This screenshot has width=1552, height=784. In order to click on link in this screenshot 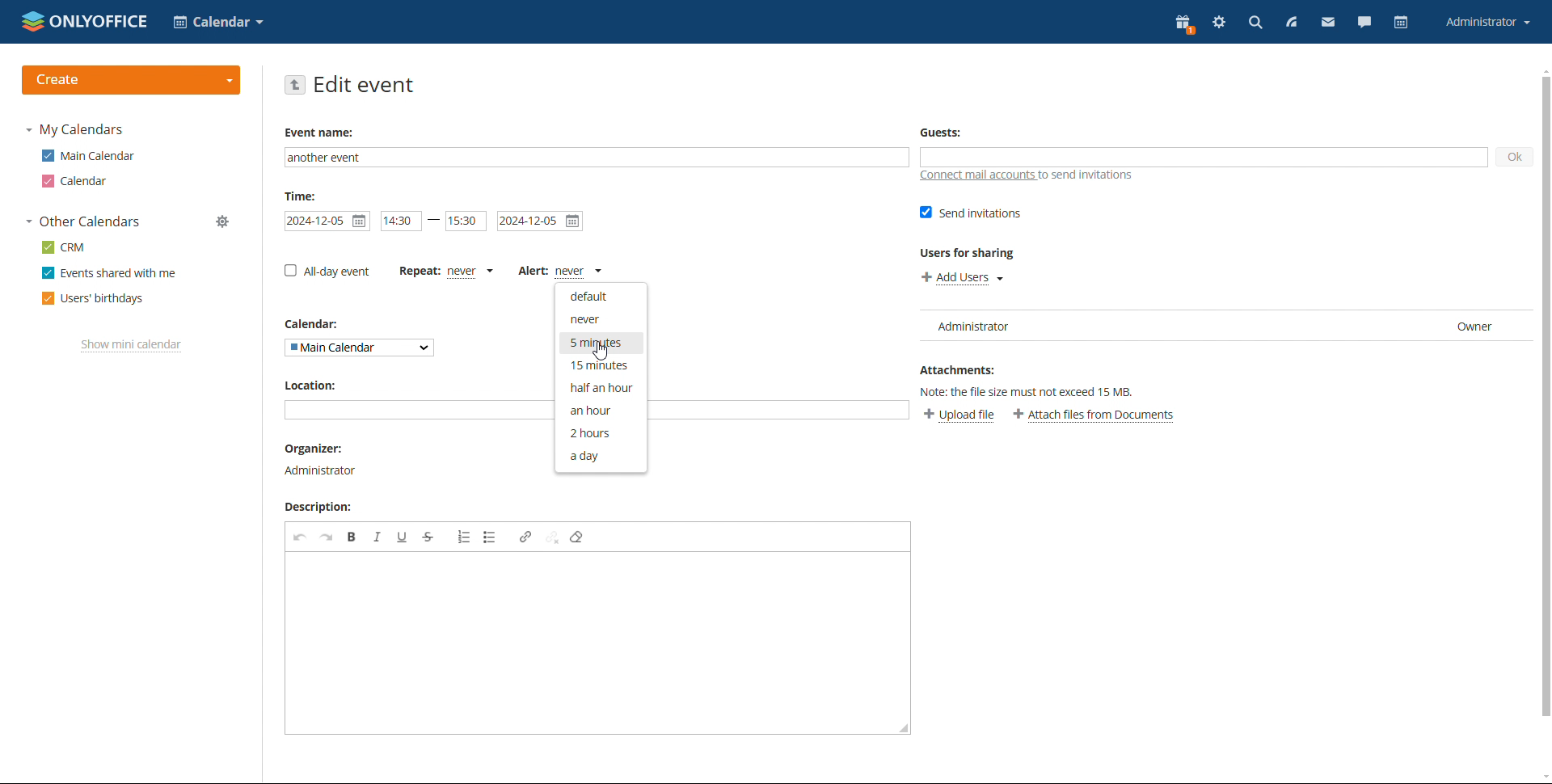, I will do `click(525, 537)`.